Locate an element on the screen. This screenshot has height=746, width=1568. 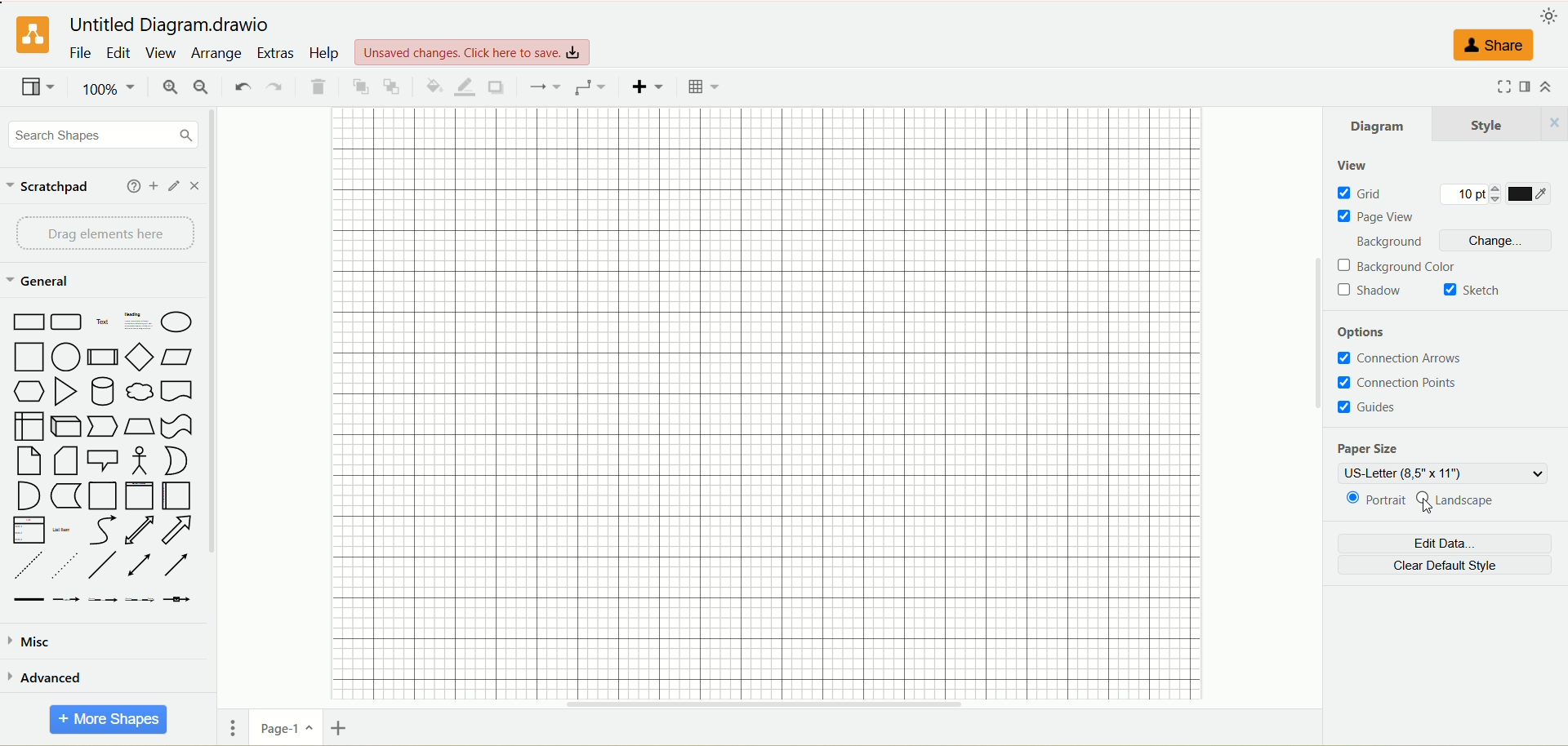
insert is located at coordinates (648, 87).